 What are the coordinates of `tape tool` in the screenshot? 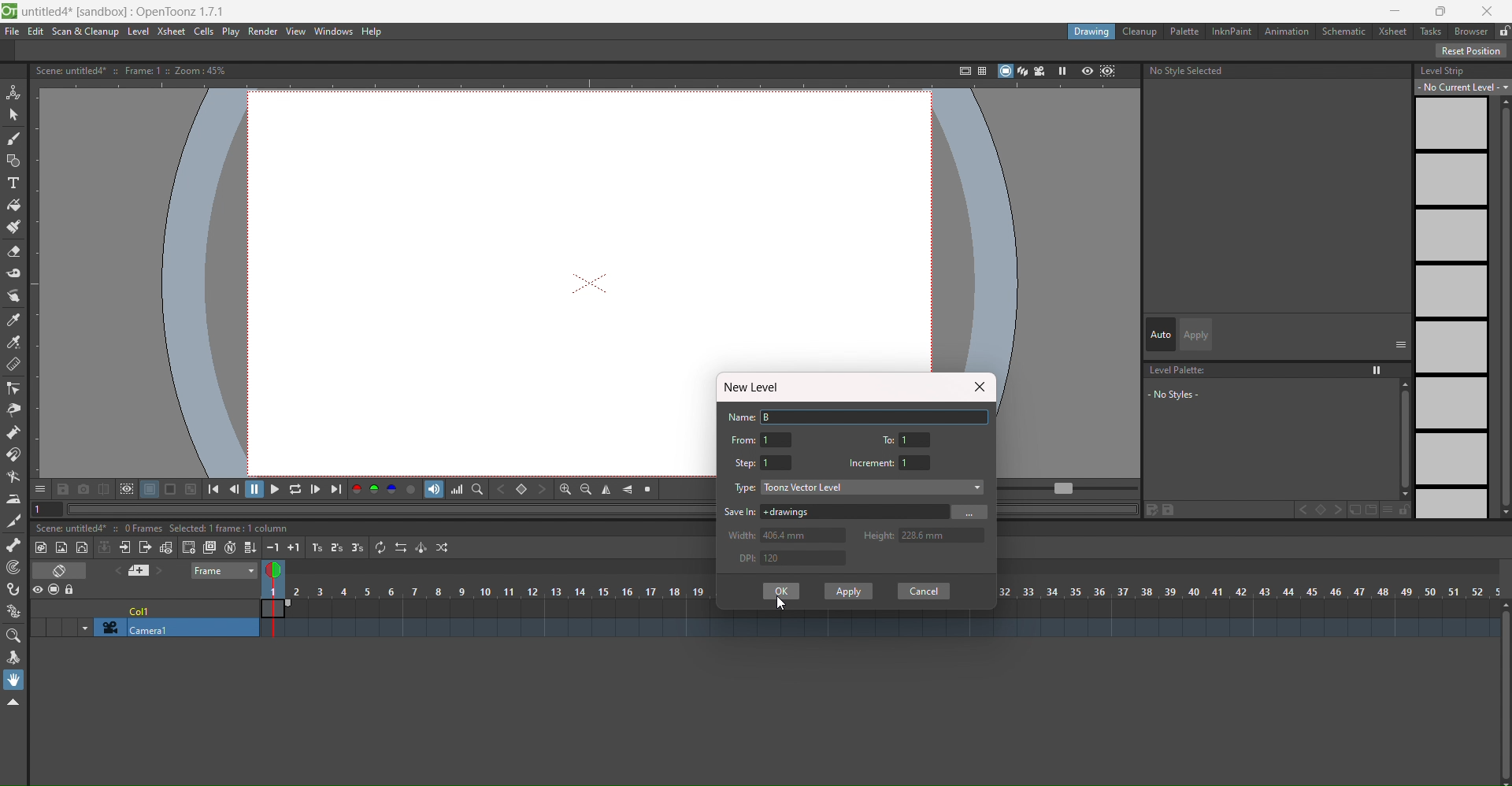 It's located at (14, 273).